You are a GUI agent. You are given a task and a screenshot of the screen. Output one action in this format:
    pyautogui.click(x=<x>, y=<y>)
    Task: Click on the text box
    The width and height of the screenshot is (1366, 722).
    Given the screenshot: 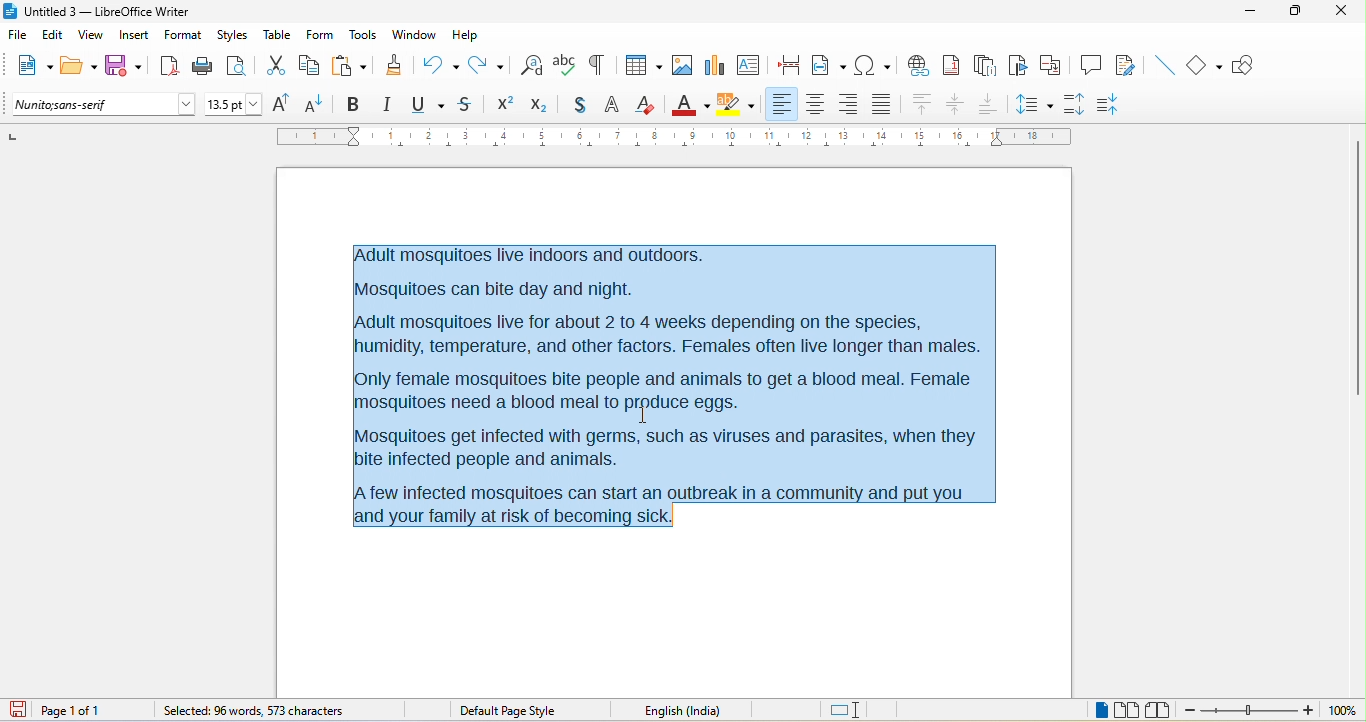 What is the action you would take?
    pyautogui.click(x=748, y=64)
    